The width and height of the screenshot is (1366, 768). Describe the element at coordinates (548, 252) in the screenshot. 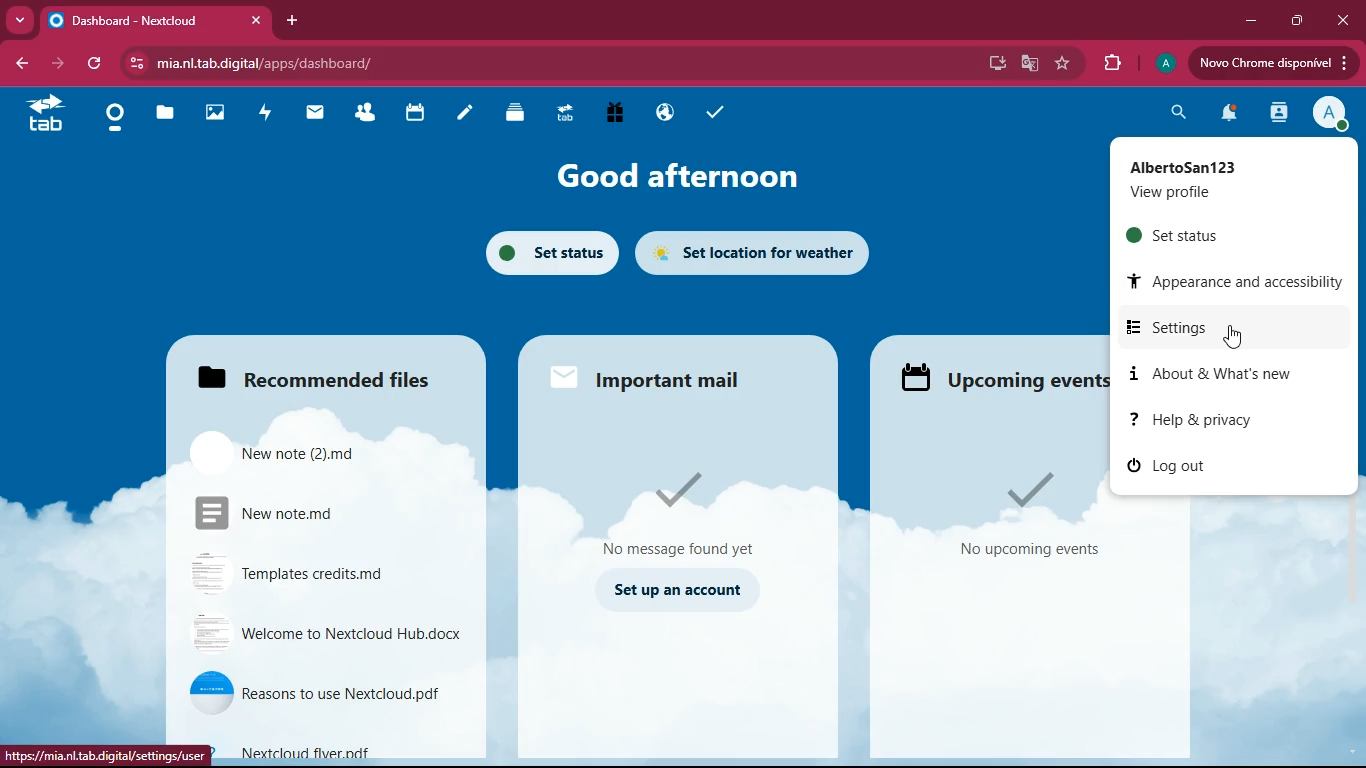

I see `set status` at that location.